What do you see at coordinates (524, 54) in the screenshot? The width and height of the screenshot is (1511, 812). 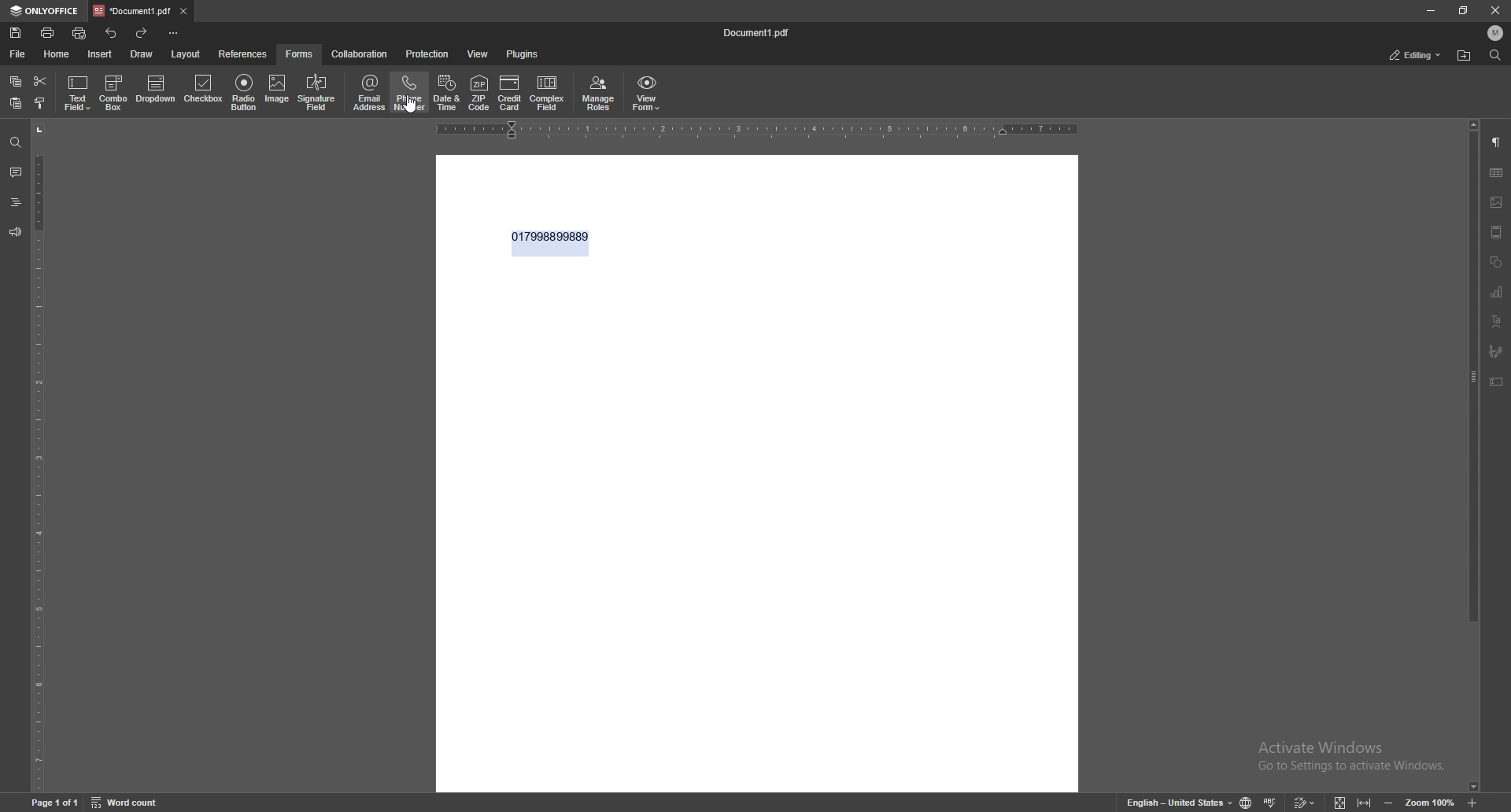 I see `plugins` at bounding box center [524, 54].